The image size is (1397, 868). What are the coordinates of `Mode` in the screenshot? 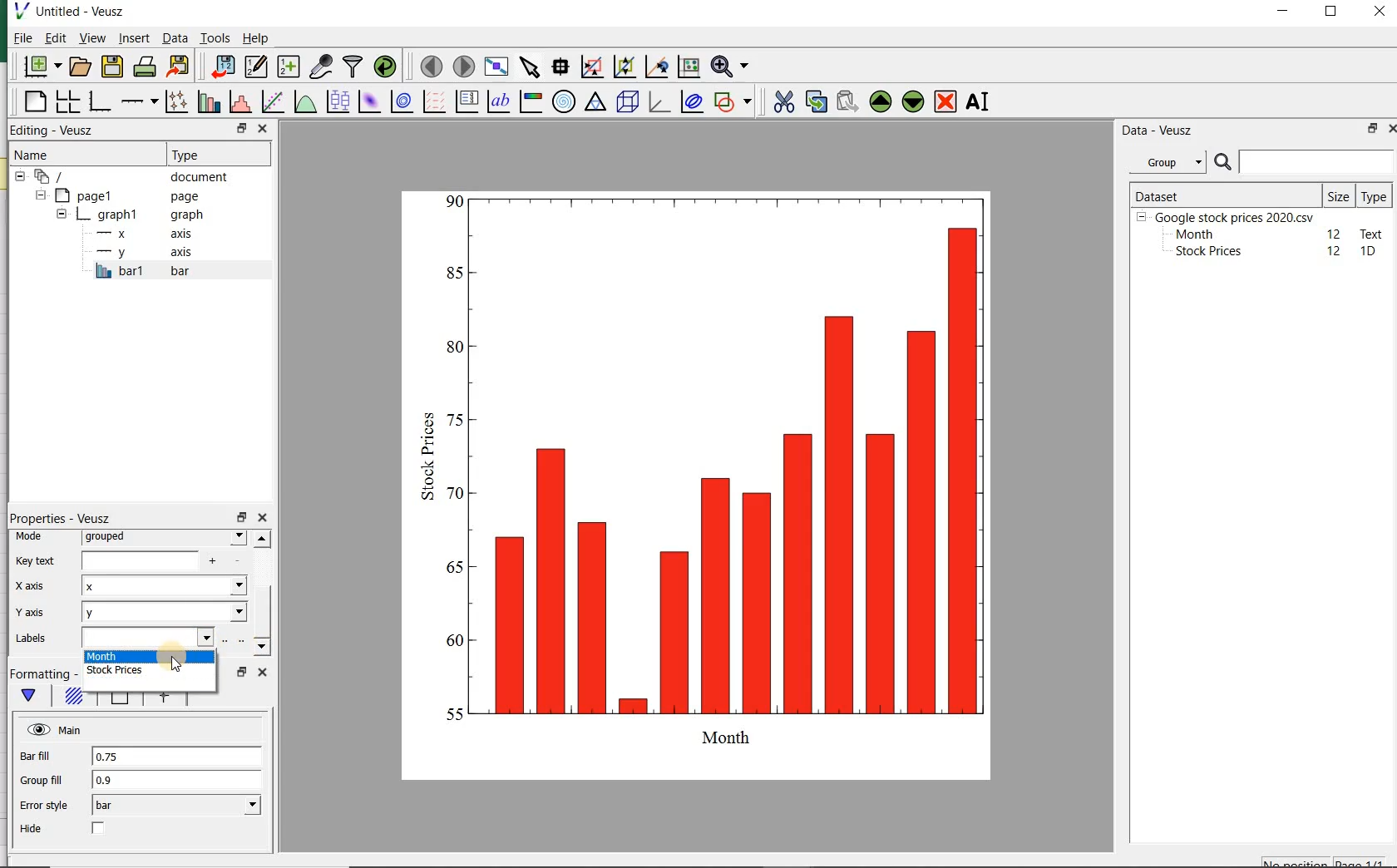 It's located at (32, 538).